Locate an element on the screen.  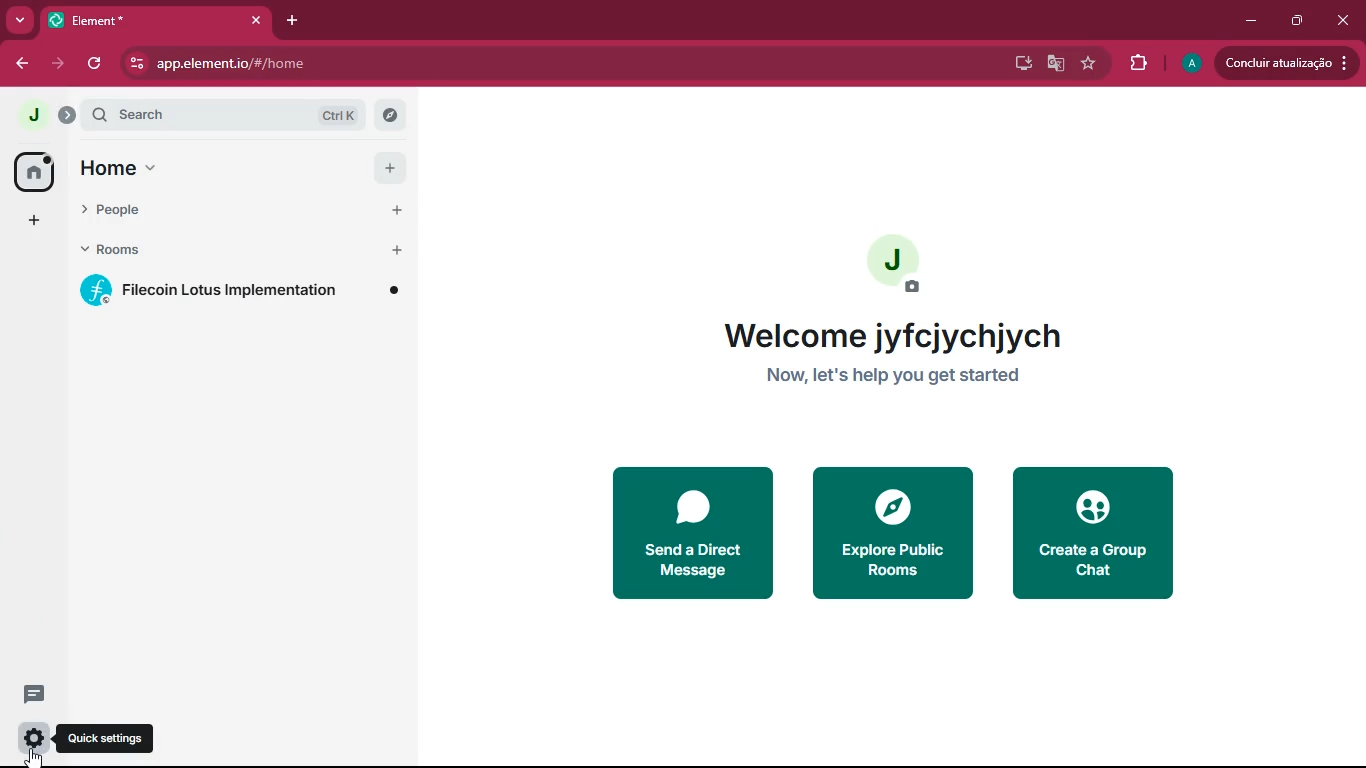
app.element.io/#/home is located at coordinates (351, 63).